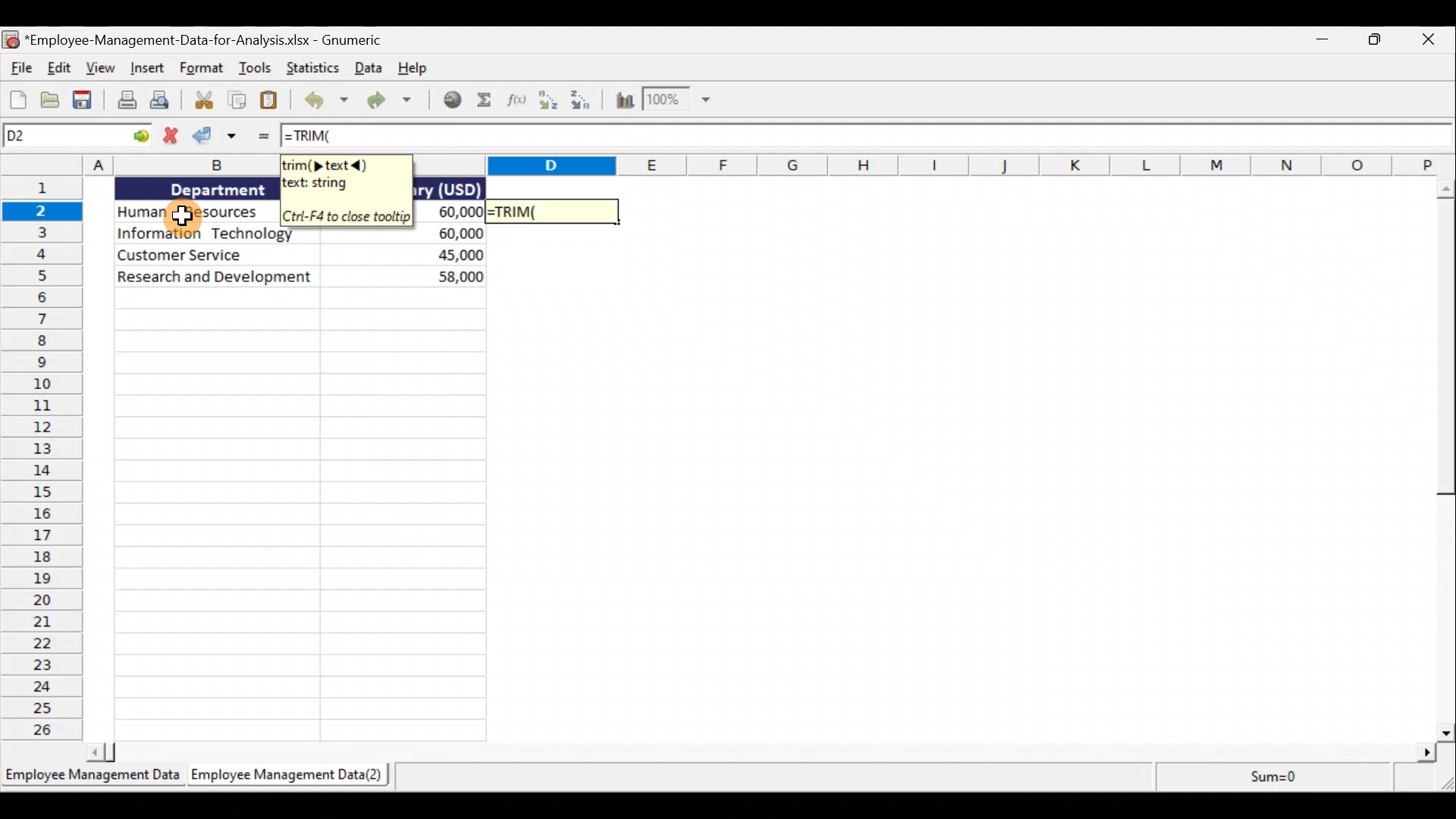  I want to click on Print preview, so click(162, 100).